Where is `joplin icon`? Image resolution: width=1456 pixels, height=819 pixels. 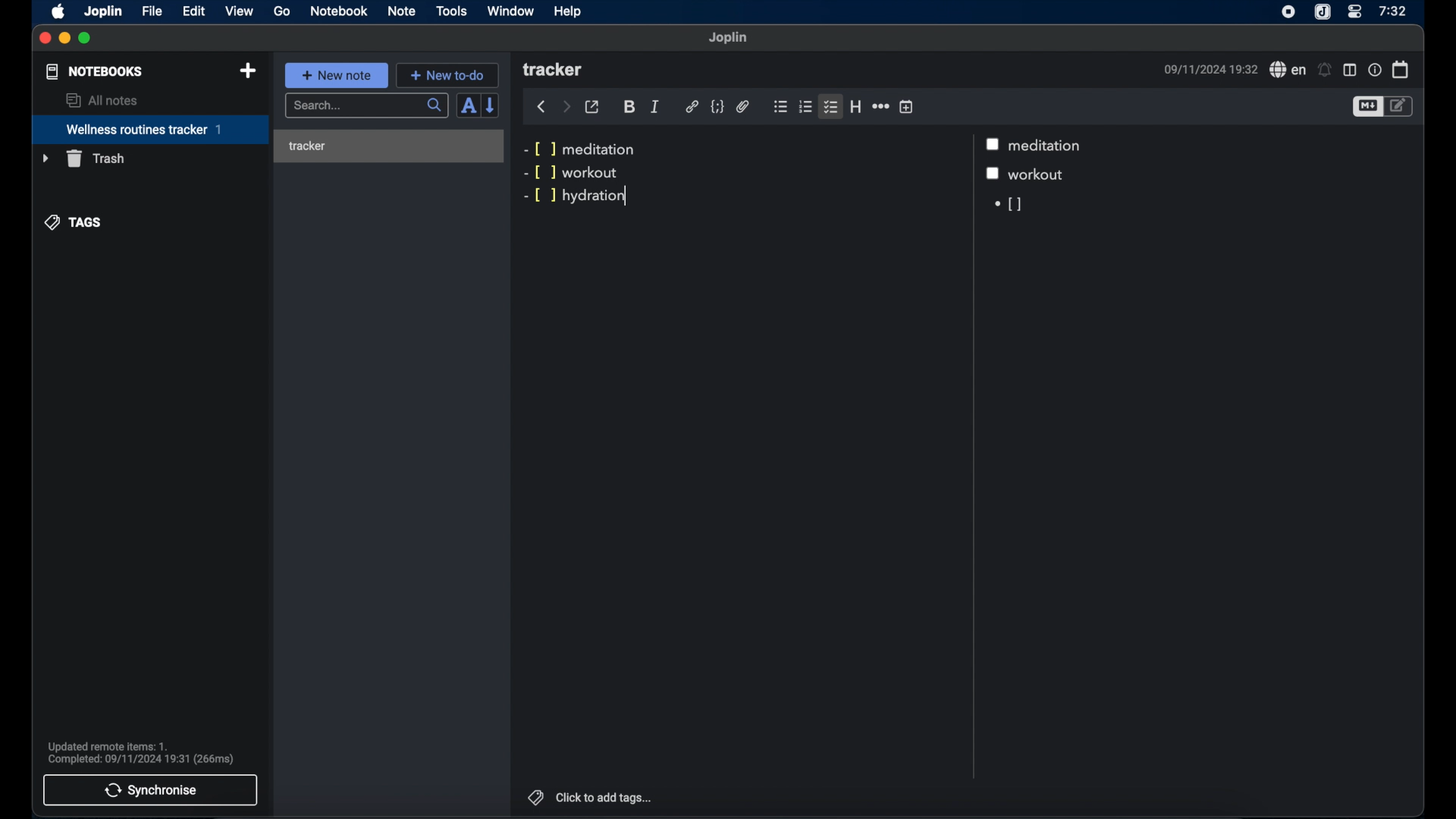 joplin icon is located at coordinates (1323, 12).